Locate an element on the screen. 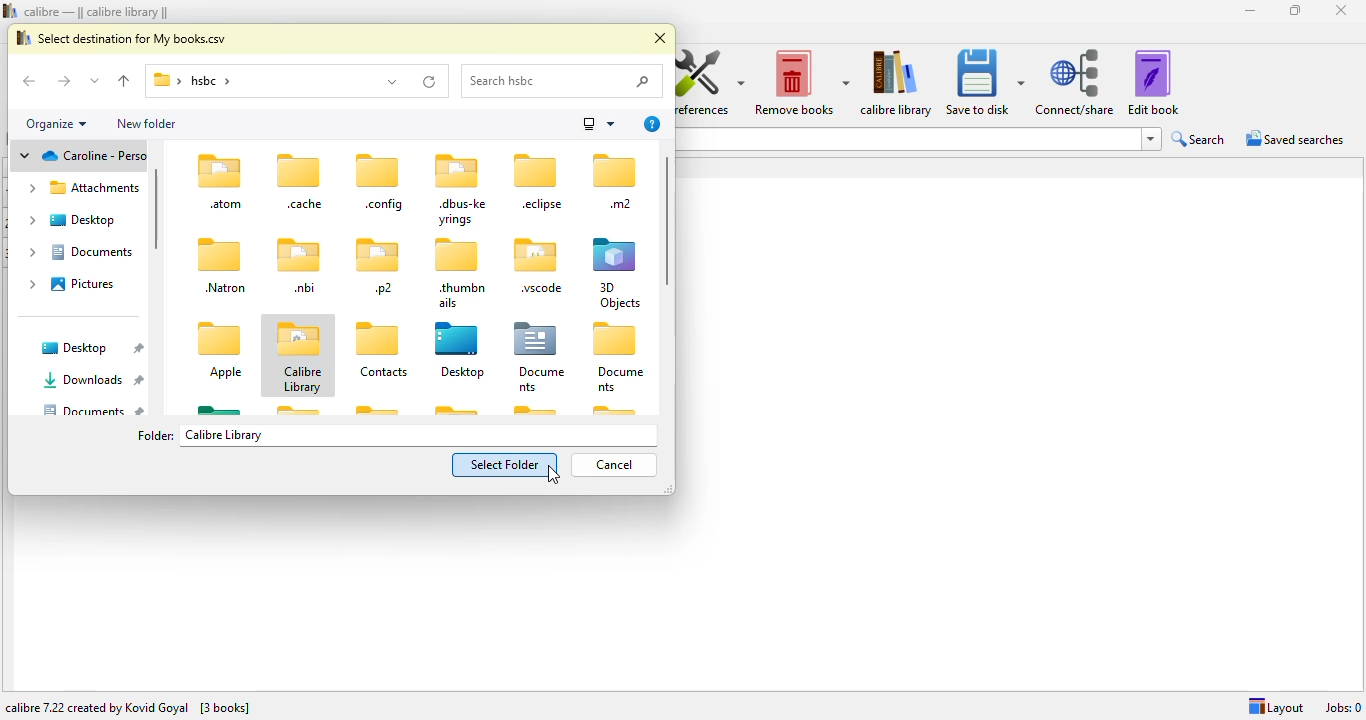 This screenshot has width=1366, height=720. calibre library is located at coordinates (897, 82).